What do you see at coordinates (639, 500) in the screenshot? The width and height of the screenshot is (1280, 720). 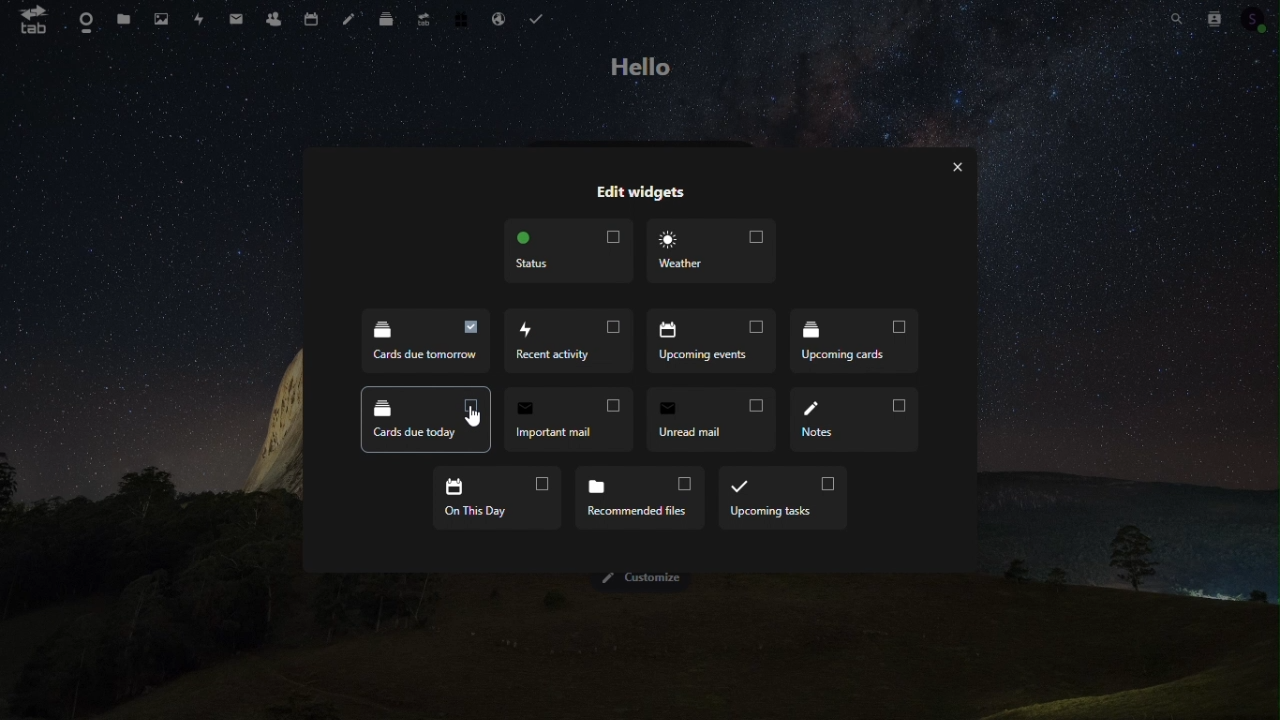 I see `Recommended files` at bounding box center [639, 500].